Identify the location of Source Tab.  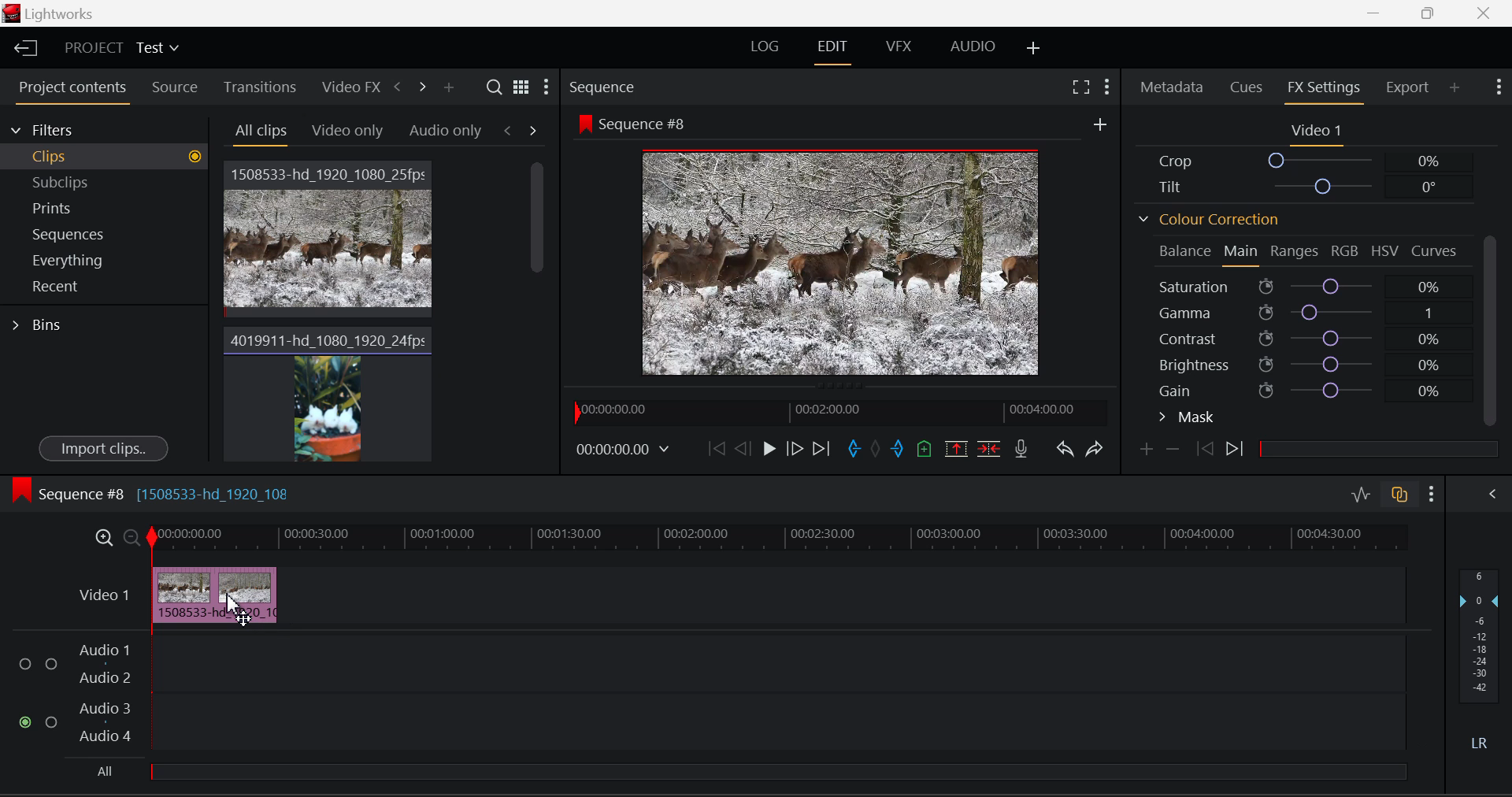
(174, 87).